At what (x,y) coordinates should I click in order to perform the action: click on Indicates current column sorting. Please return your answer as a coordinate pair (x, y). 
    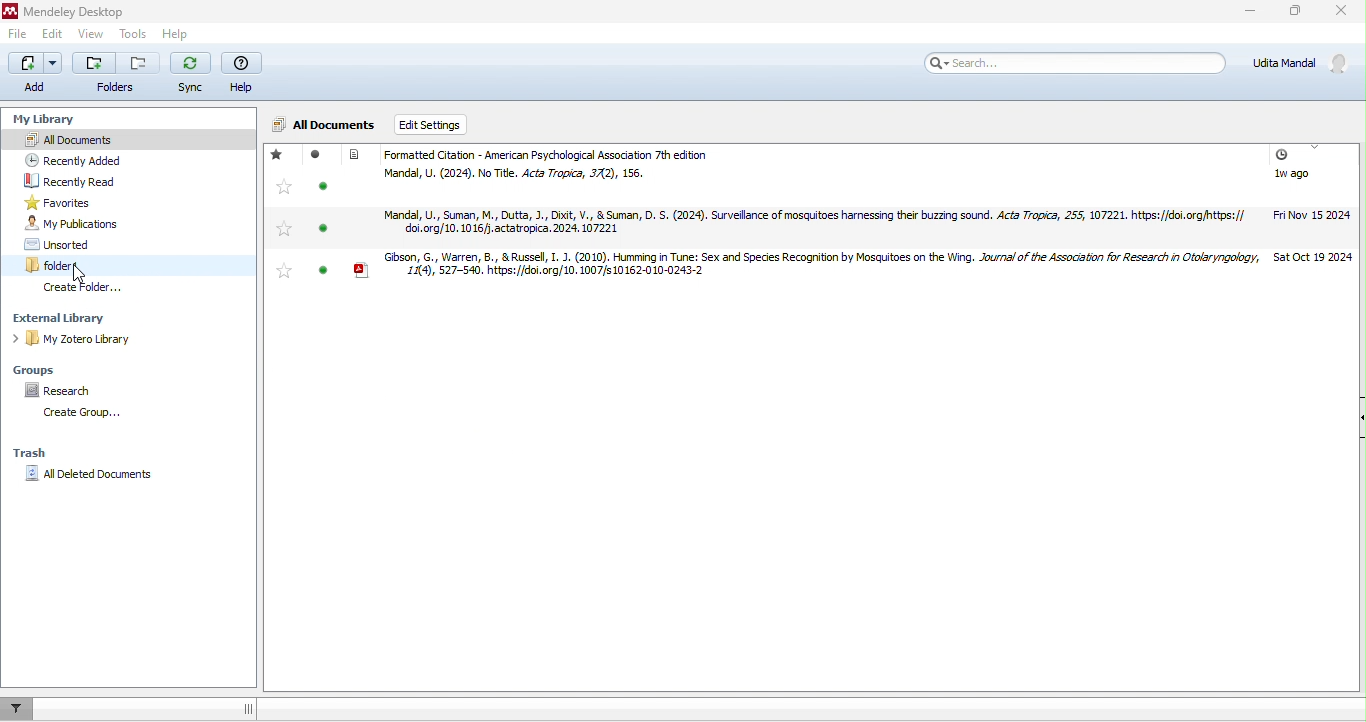
    Looking at the image, I should click on (1314, 147).